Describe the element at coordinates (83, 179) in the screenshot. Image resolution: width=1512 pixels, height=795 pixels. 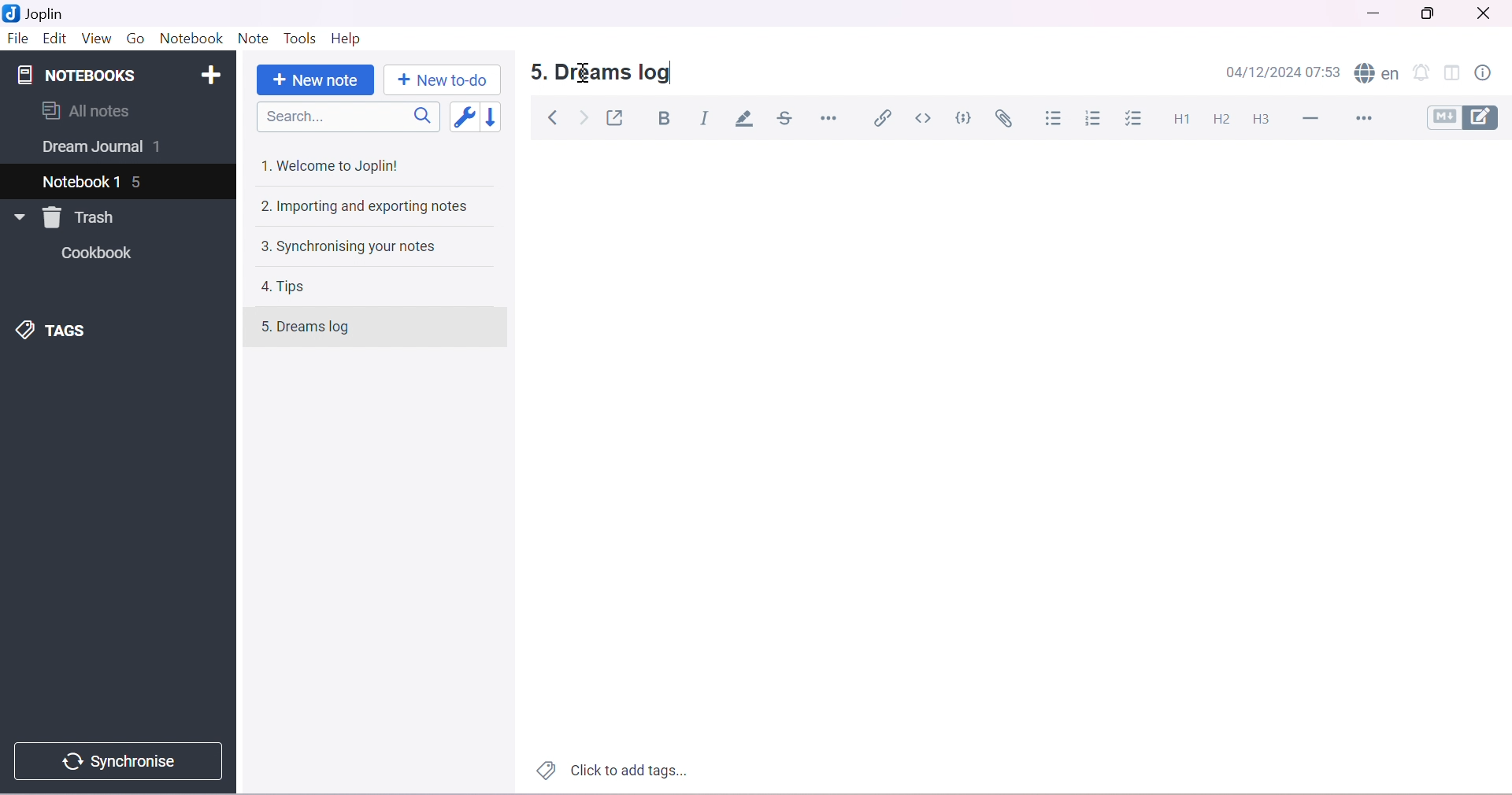
I see `Notebook 1` at that location.